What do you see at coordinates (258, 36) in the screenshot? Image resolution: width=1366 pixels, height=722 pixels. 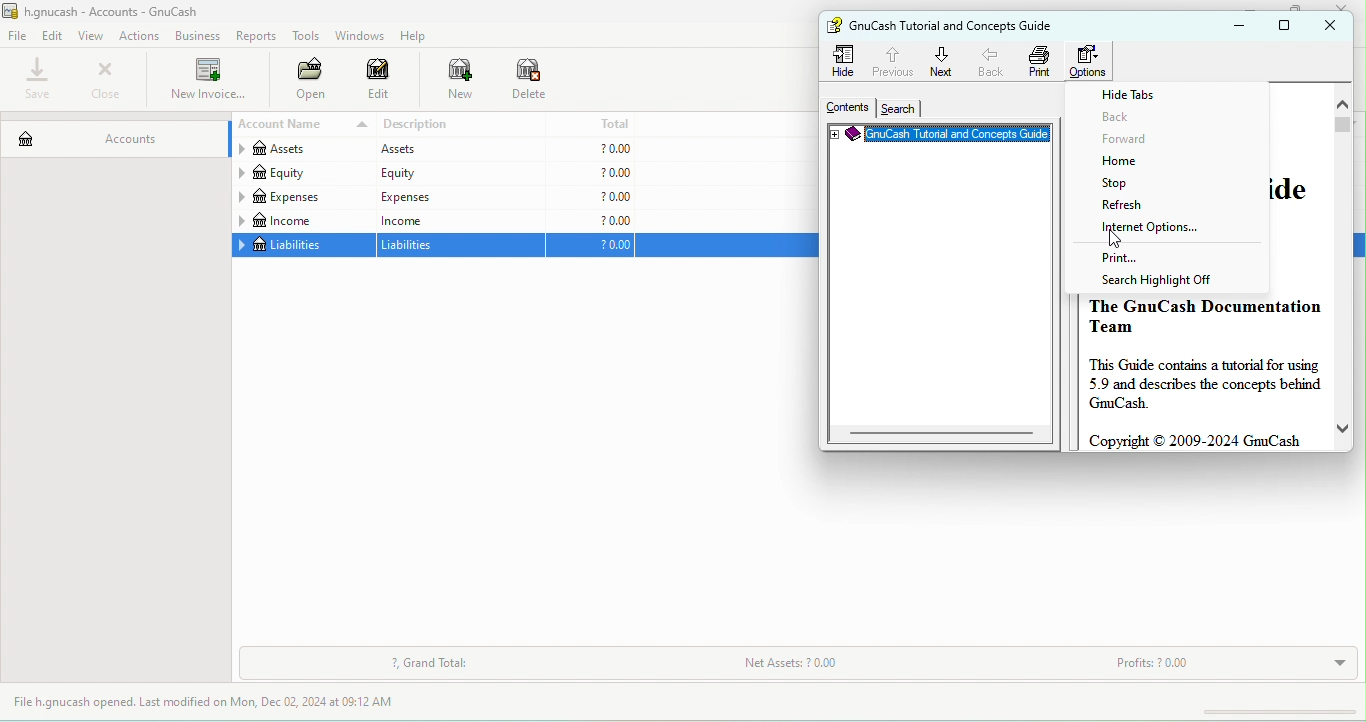 I see `reports` at bounding box center [258, 36].